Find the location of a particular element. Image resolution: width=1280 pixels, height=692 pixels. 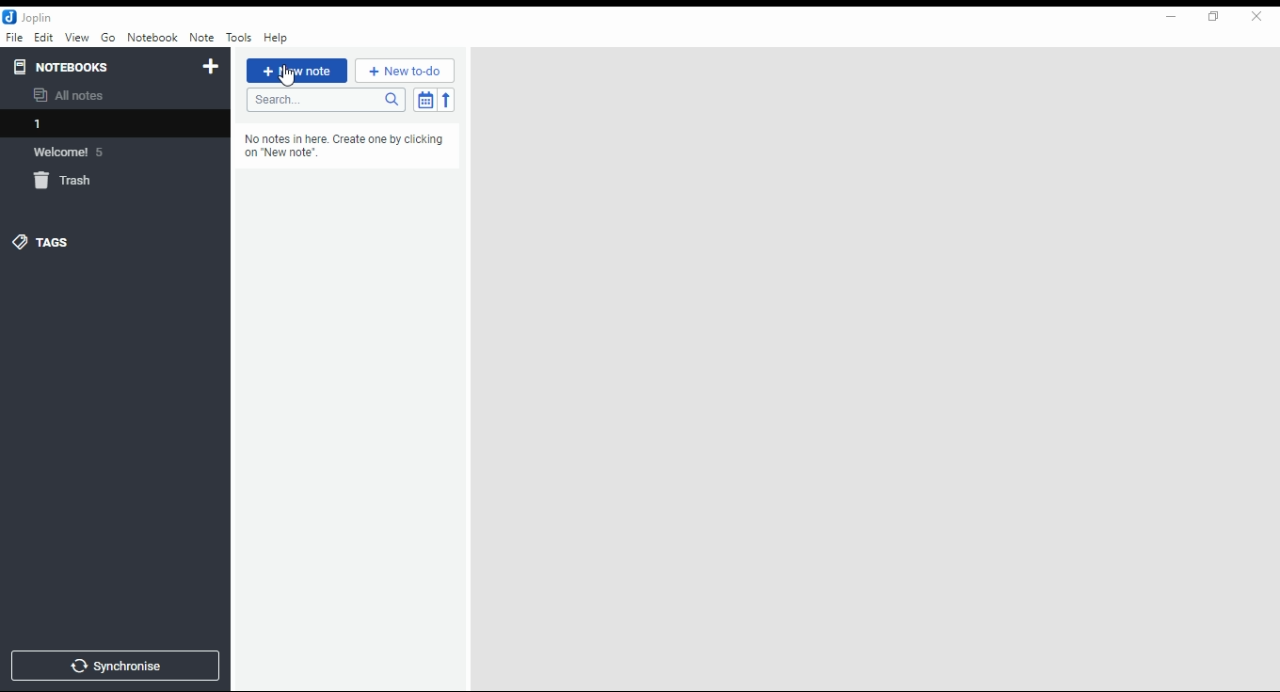

note is located at coordinates (201, 38).